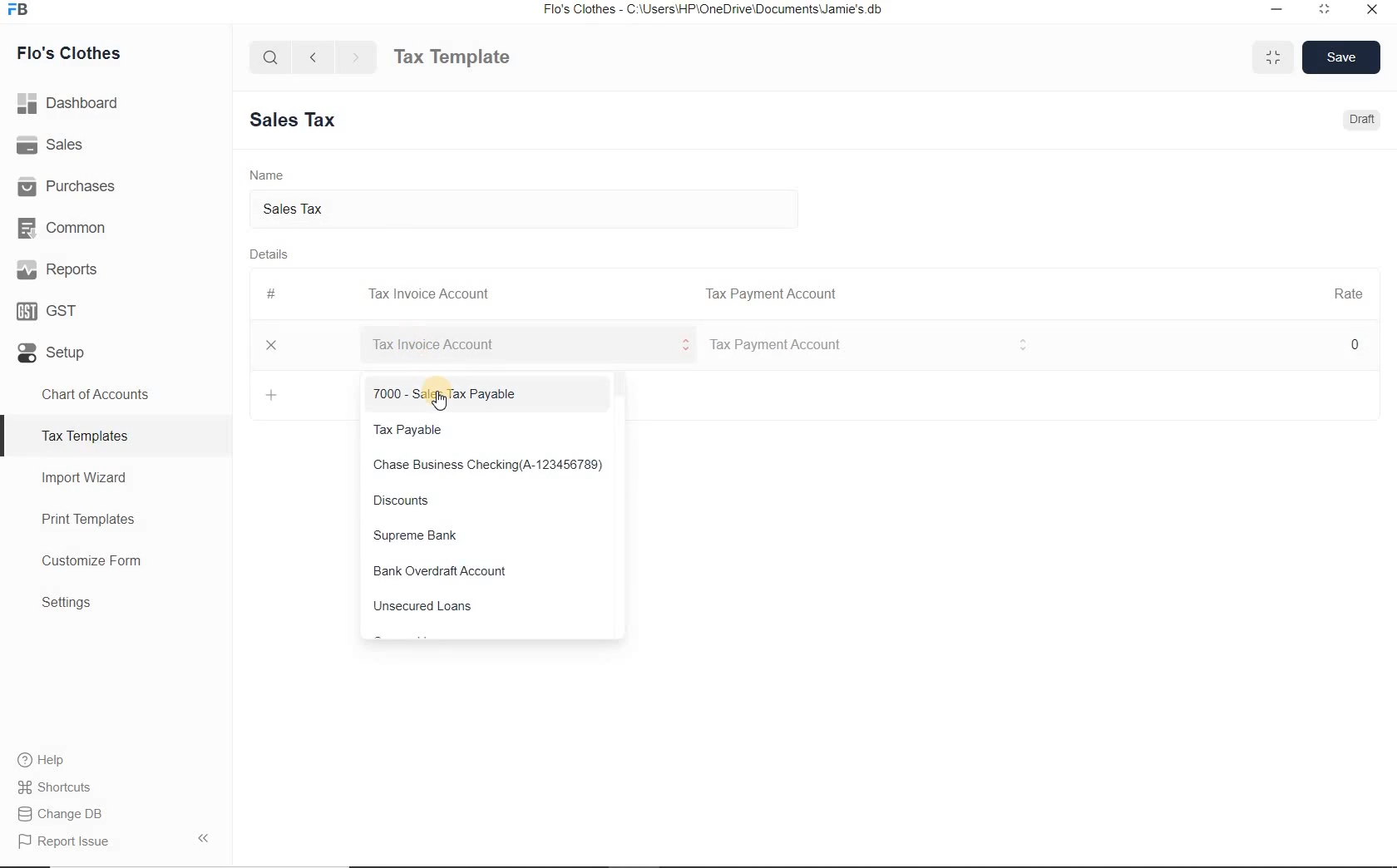  What do you see at coordinates (1342, 57) in the screenshot?
I see `Save` at bounding box center [1342, 57].